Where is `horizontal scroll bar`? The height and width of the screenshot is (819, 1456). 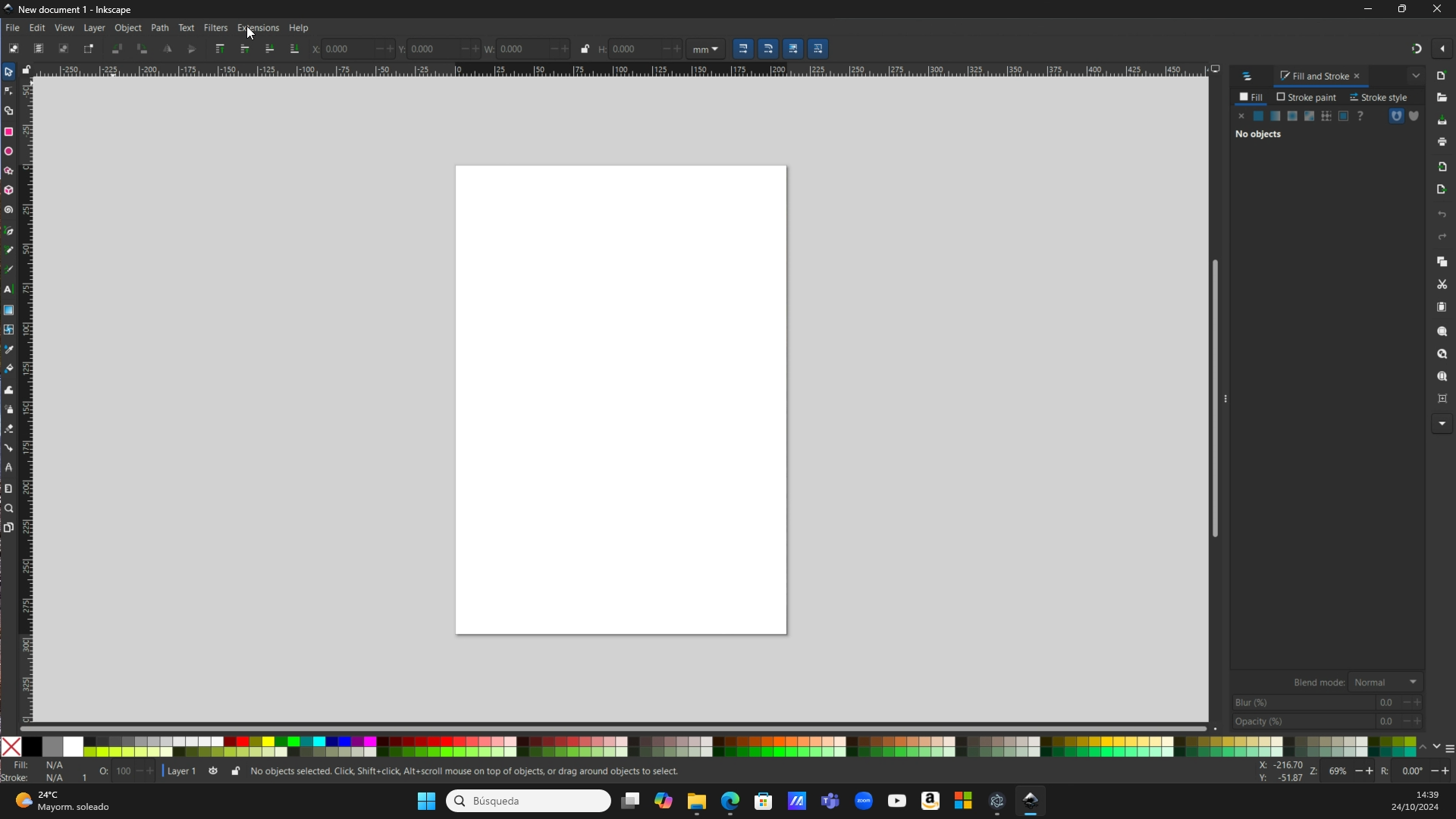
horizontal scroll bar is located at coordinates (617, 726).